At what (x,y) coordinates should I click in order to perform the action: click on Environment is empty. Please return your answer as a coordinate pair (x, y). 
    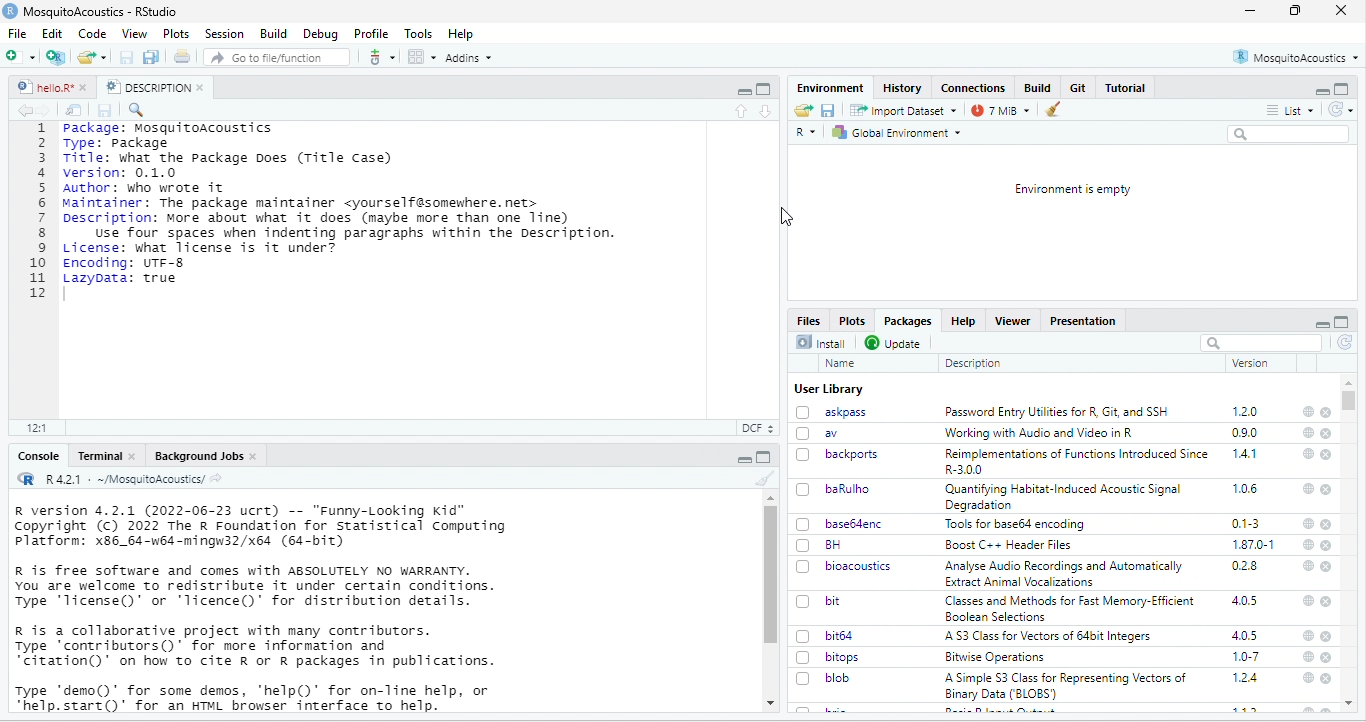
    Looking at the image, I should click on (1072, 189).